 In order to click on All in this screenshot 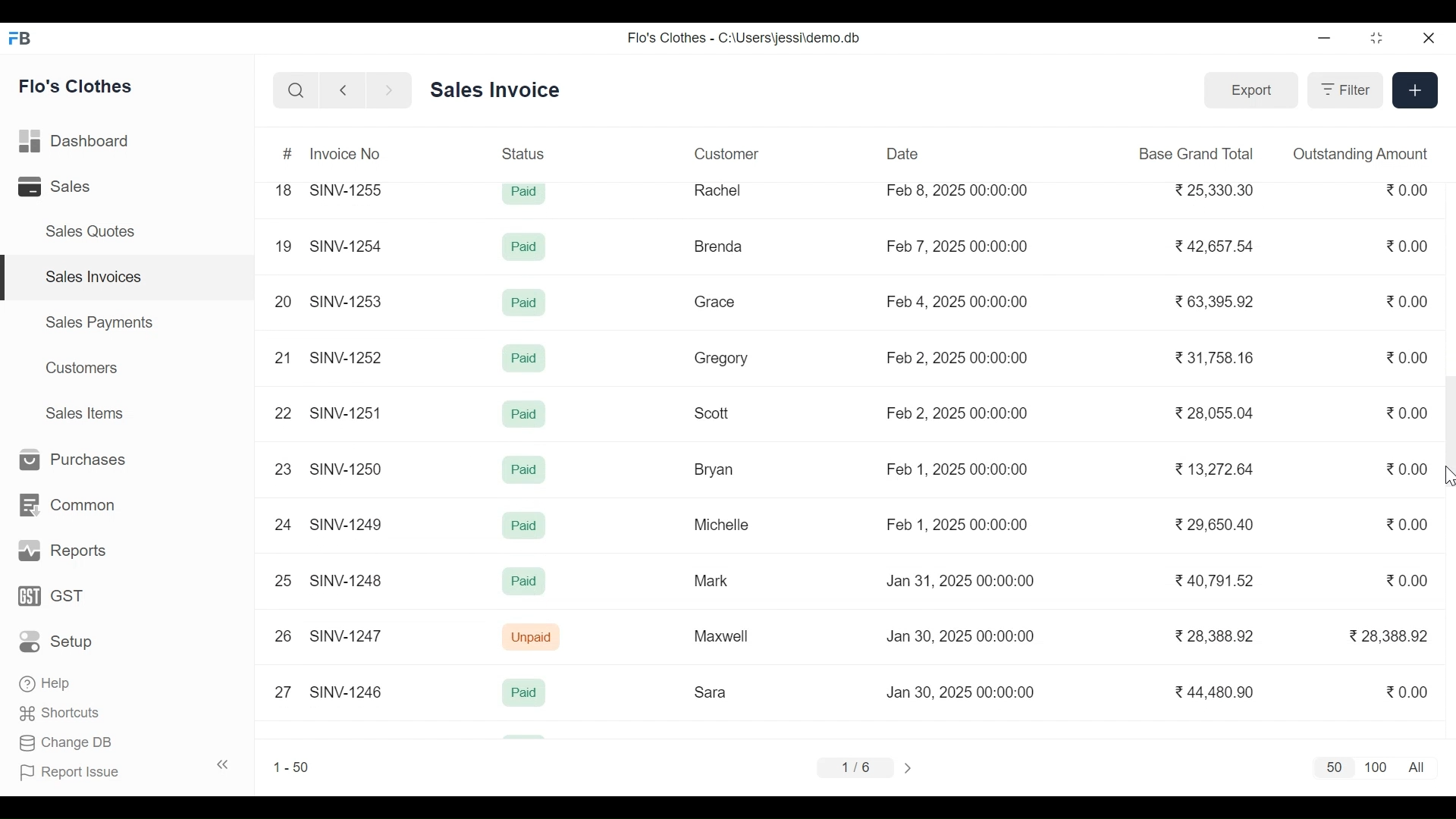, I will do `click(1420, 767)`.